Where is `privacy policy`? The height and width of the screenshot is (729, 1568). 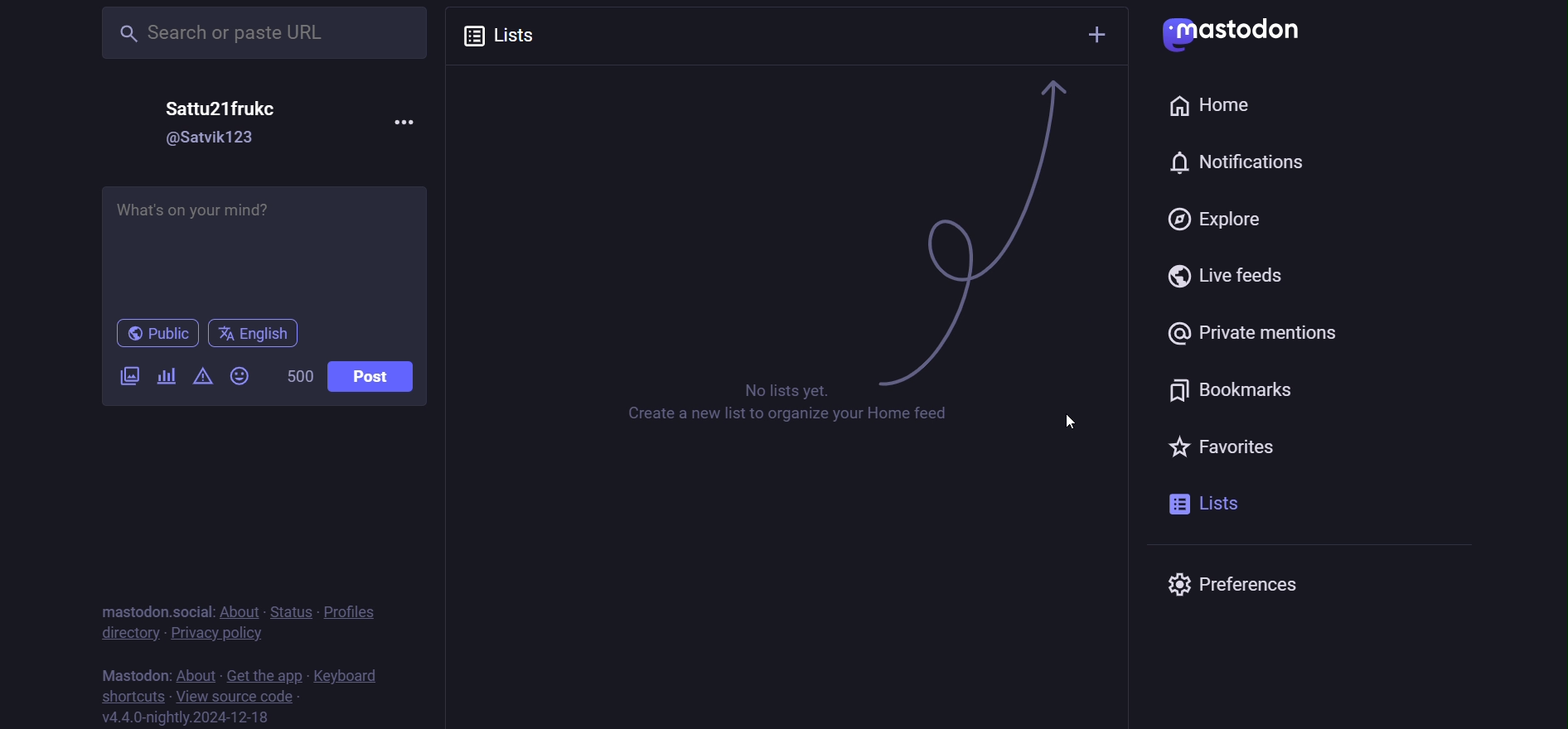
privacy policy is located at coordinates (217, 633).